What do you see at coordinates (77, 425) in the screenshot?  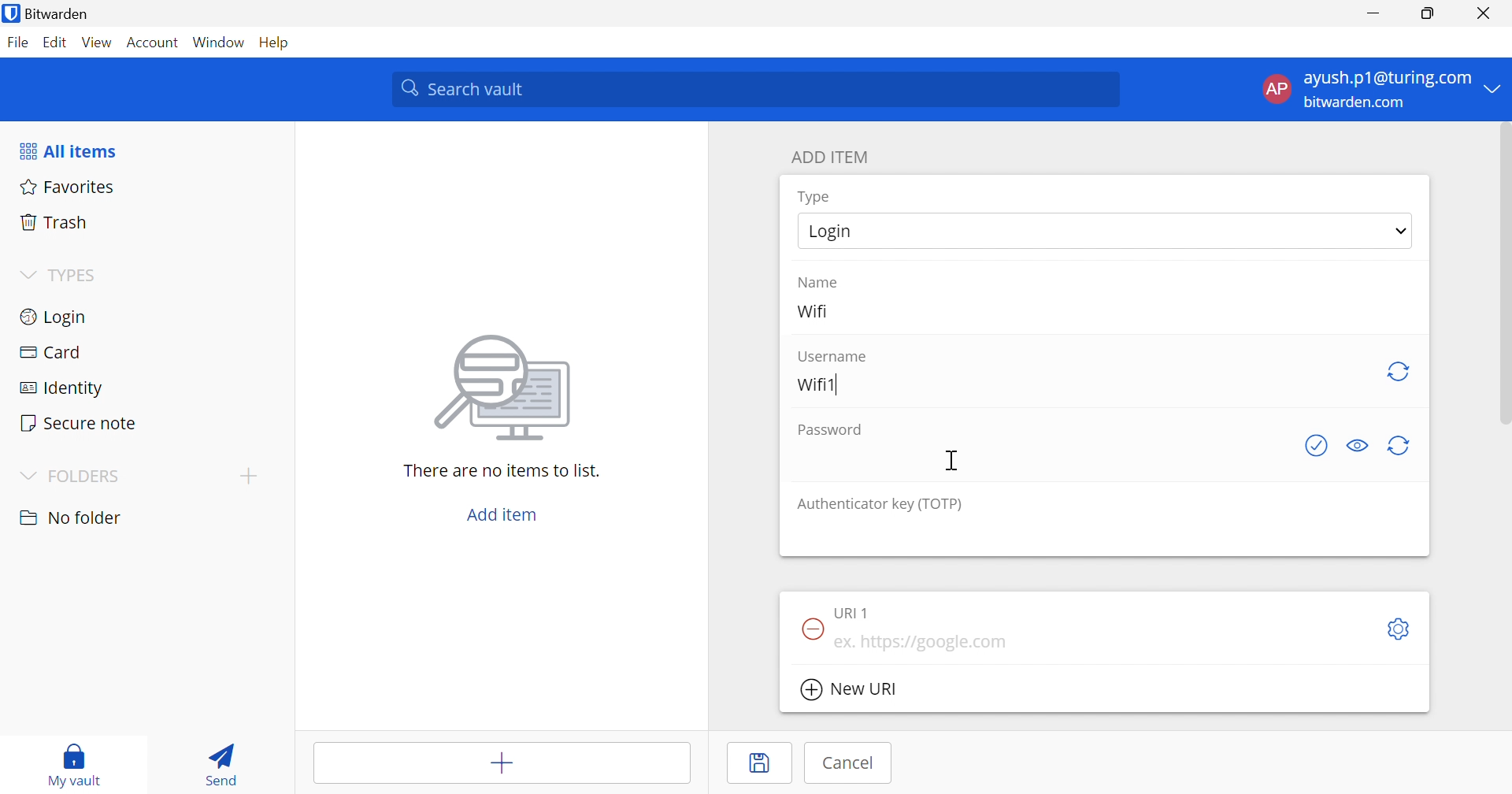 I see `Secure note` at bounding box center [77, 425].